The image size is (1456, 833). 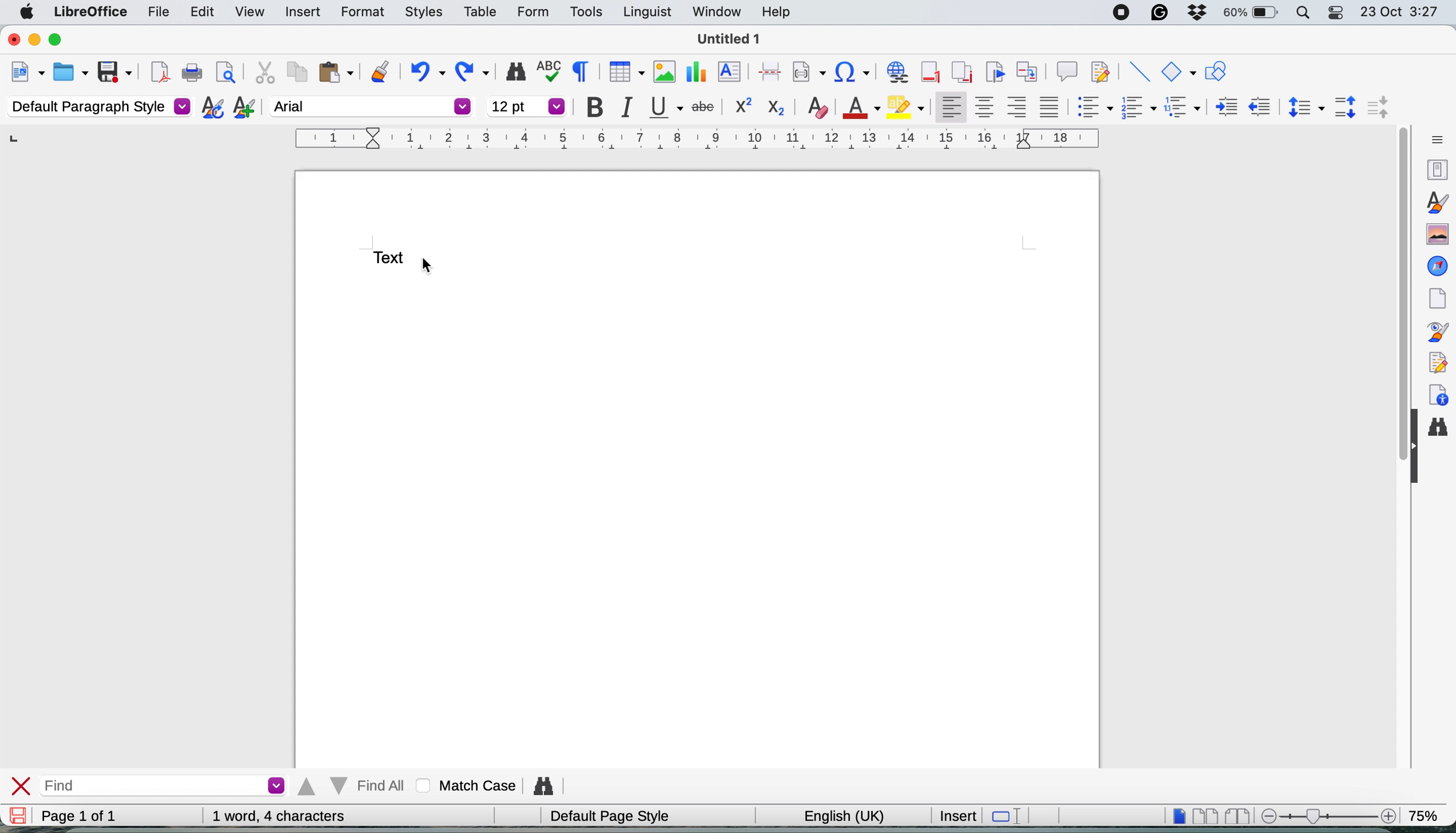 What do you see at coordinates (262, 73) in the screenshot?
I see `cut` at bounding box center [262, 73].